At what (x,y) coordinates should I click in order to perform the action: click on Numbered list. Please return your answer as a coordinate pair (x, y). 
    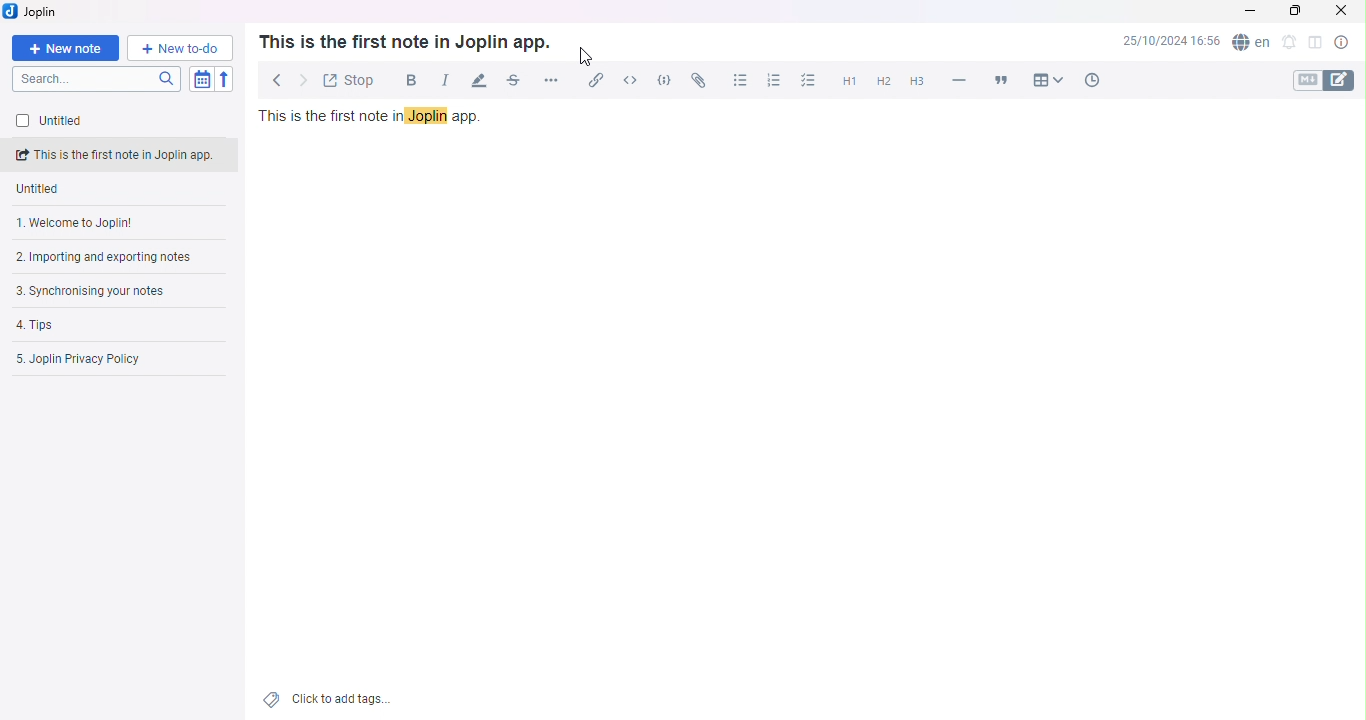
    Looking at the image, I should click on (771, 80).